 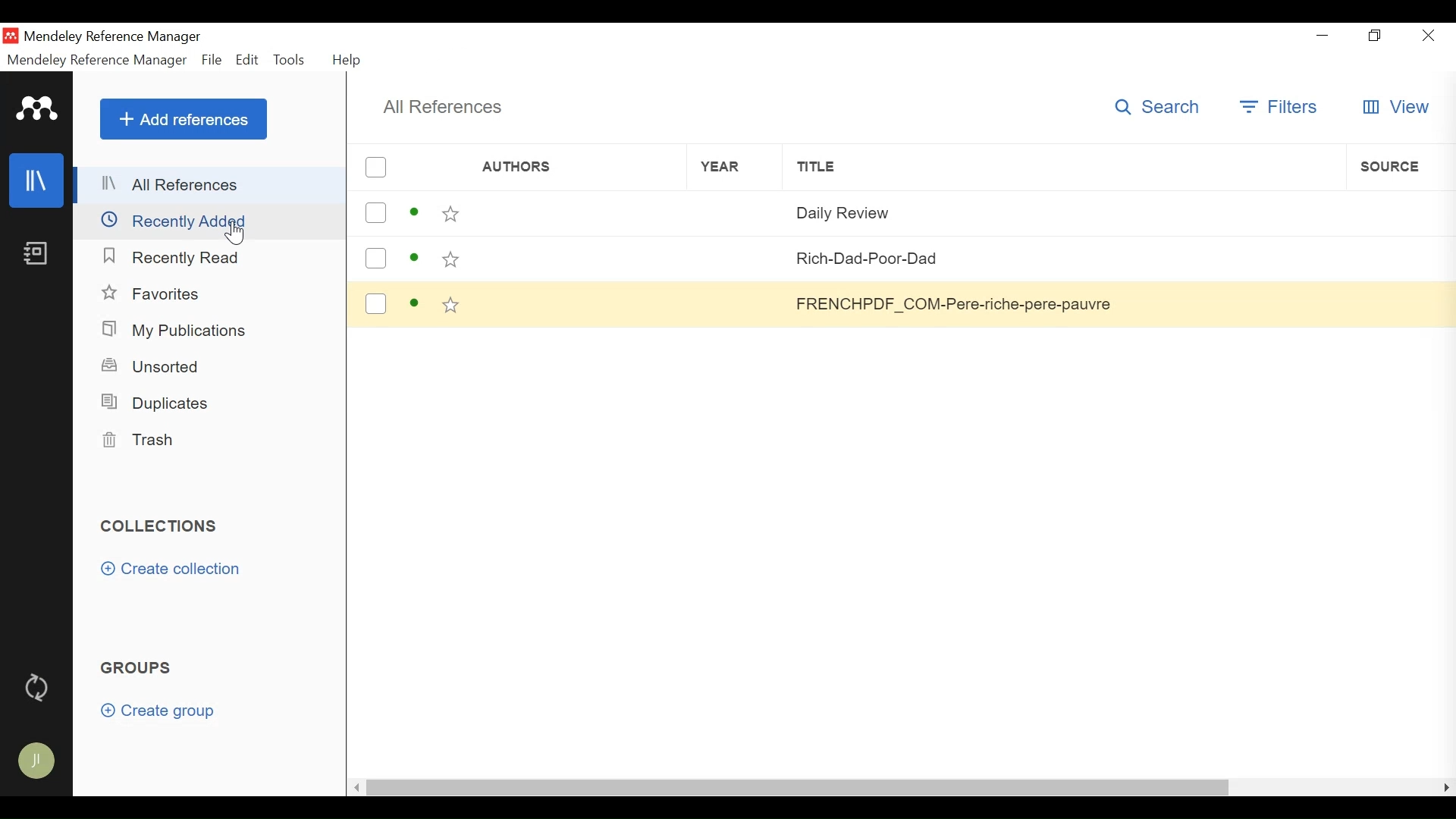 What do you see at coordinates (1447, 789) in the screenshot?
I see `Scroll Right` at bounding box center [1447, 789].